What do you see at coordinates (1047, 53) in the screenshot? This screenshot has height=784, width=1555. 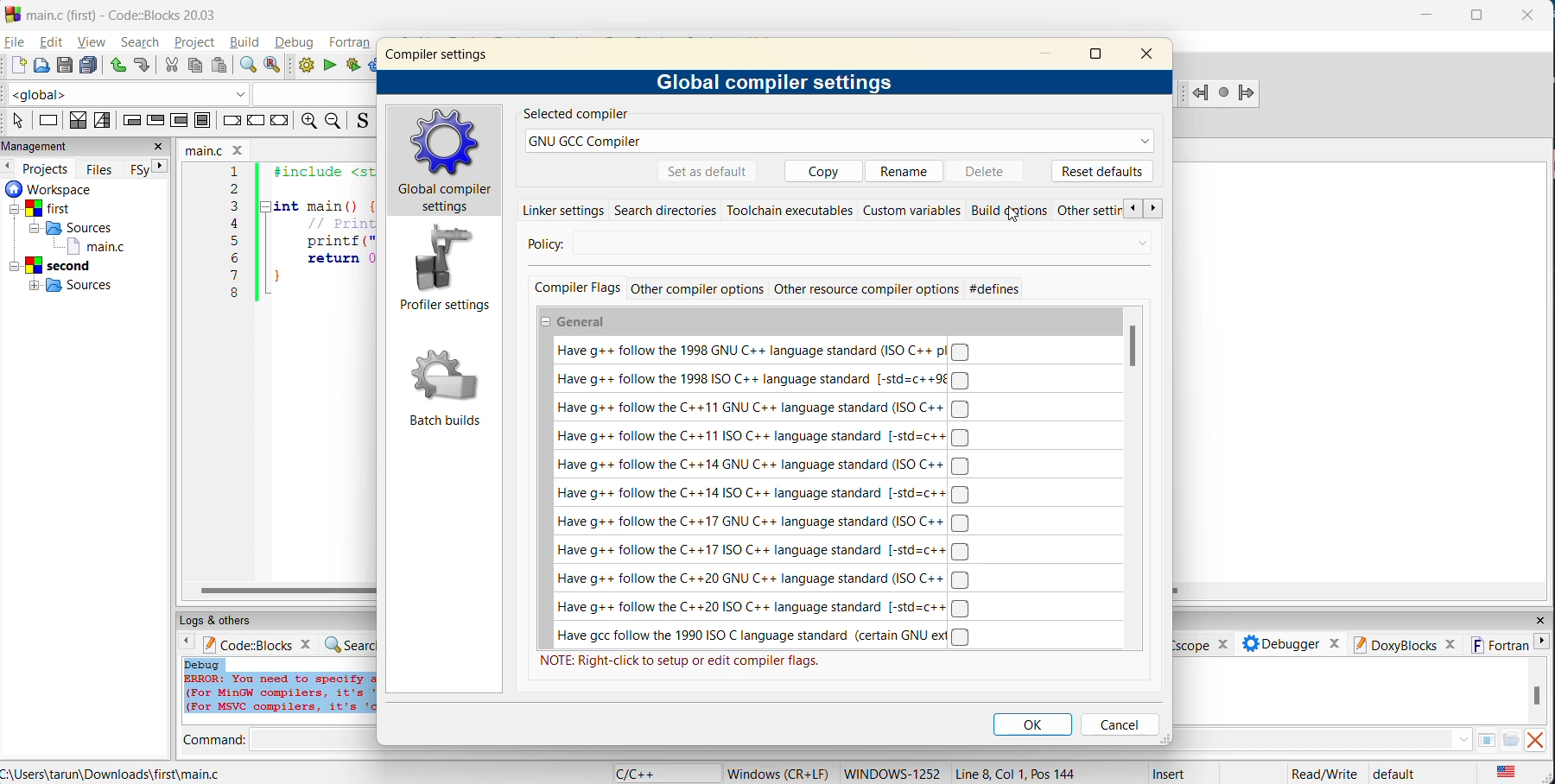 I see `minimize` at bounding box center [1047, 53].